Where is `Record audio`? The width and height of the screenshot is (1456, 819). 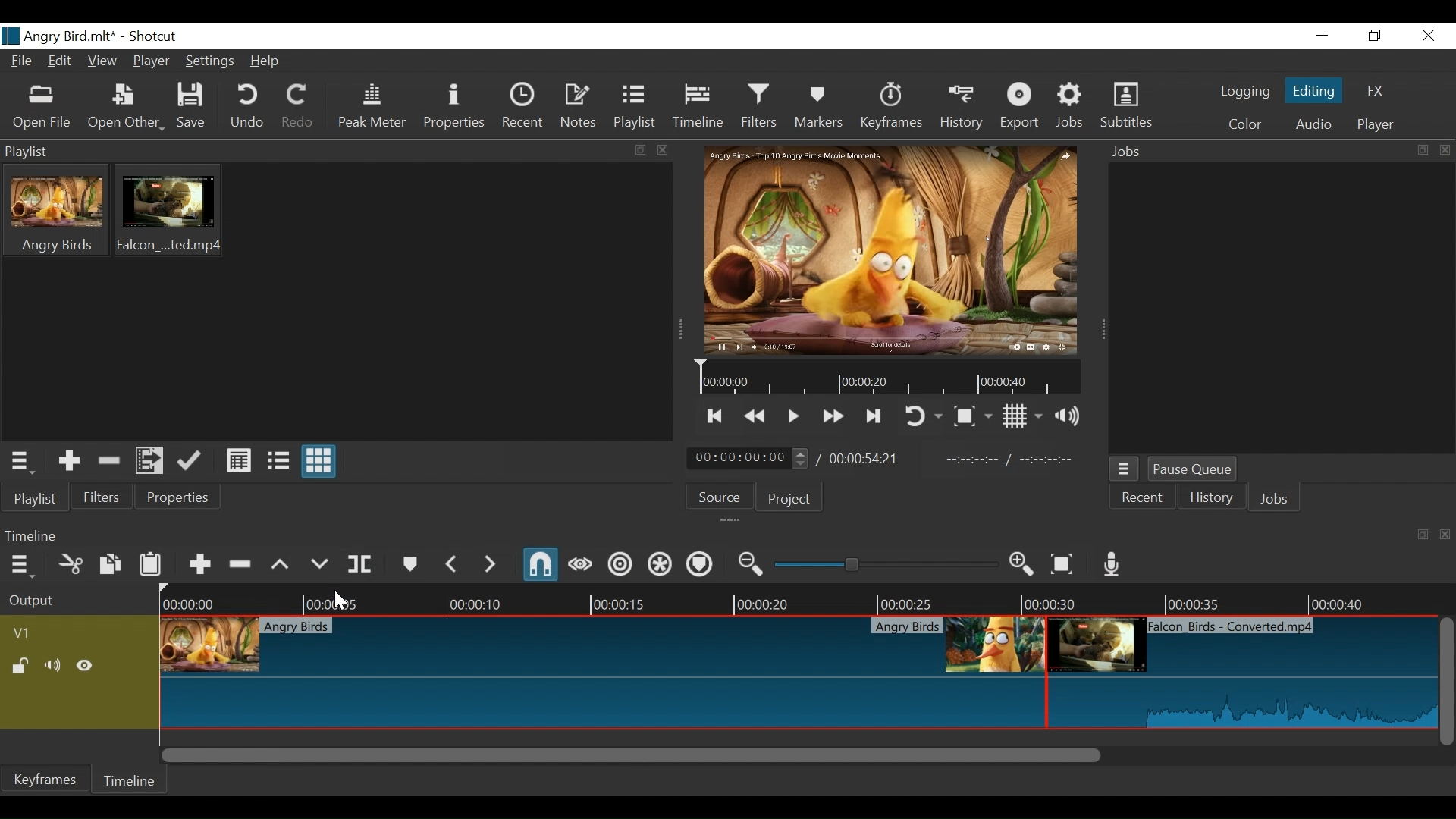
Record audio is located at coordinates (1109, 565).